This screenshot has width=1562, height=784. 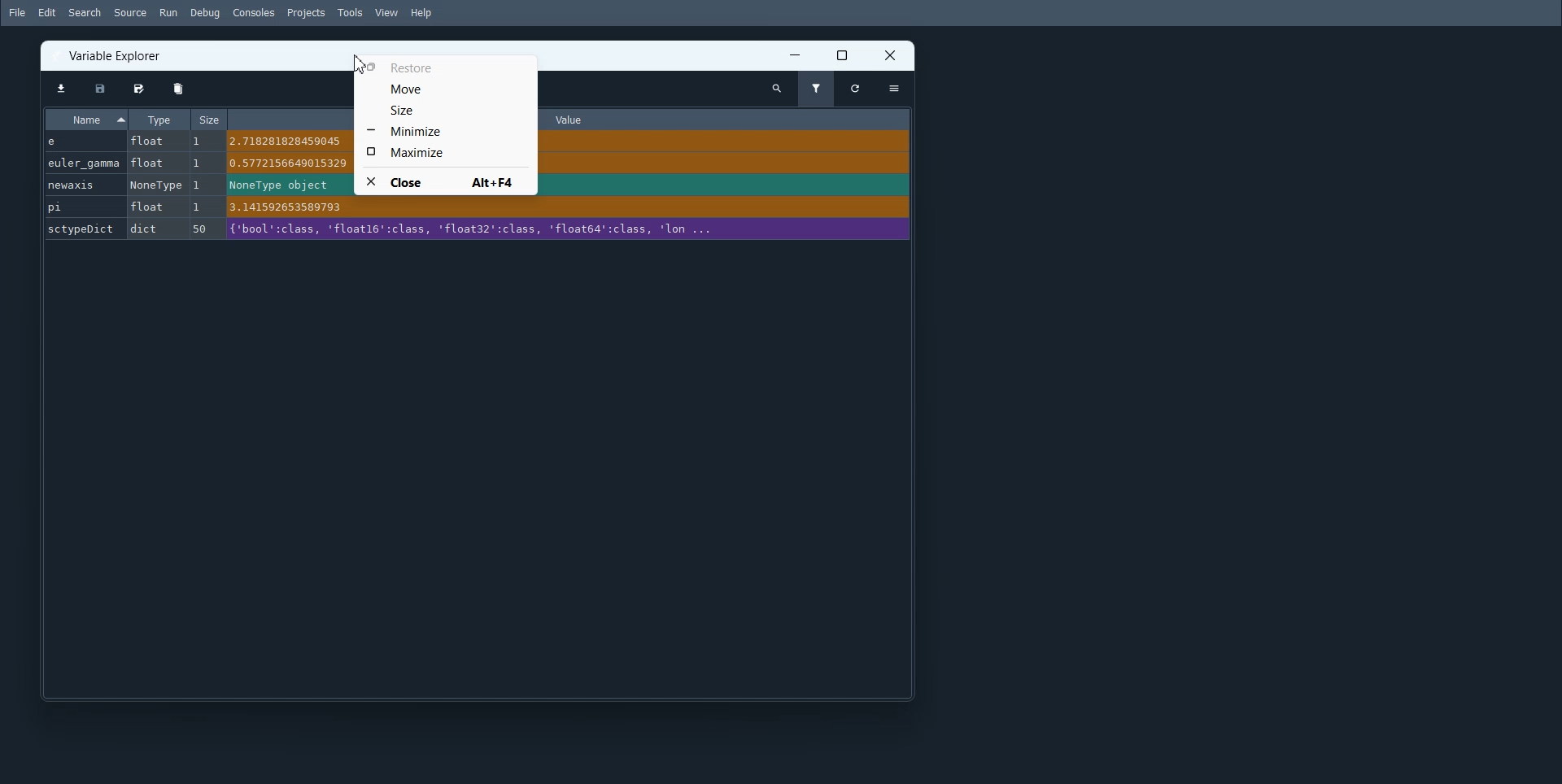 I want to click on sctypeDict, so click(x=83, y=229).